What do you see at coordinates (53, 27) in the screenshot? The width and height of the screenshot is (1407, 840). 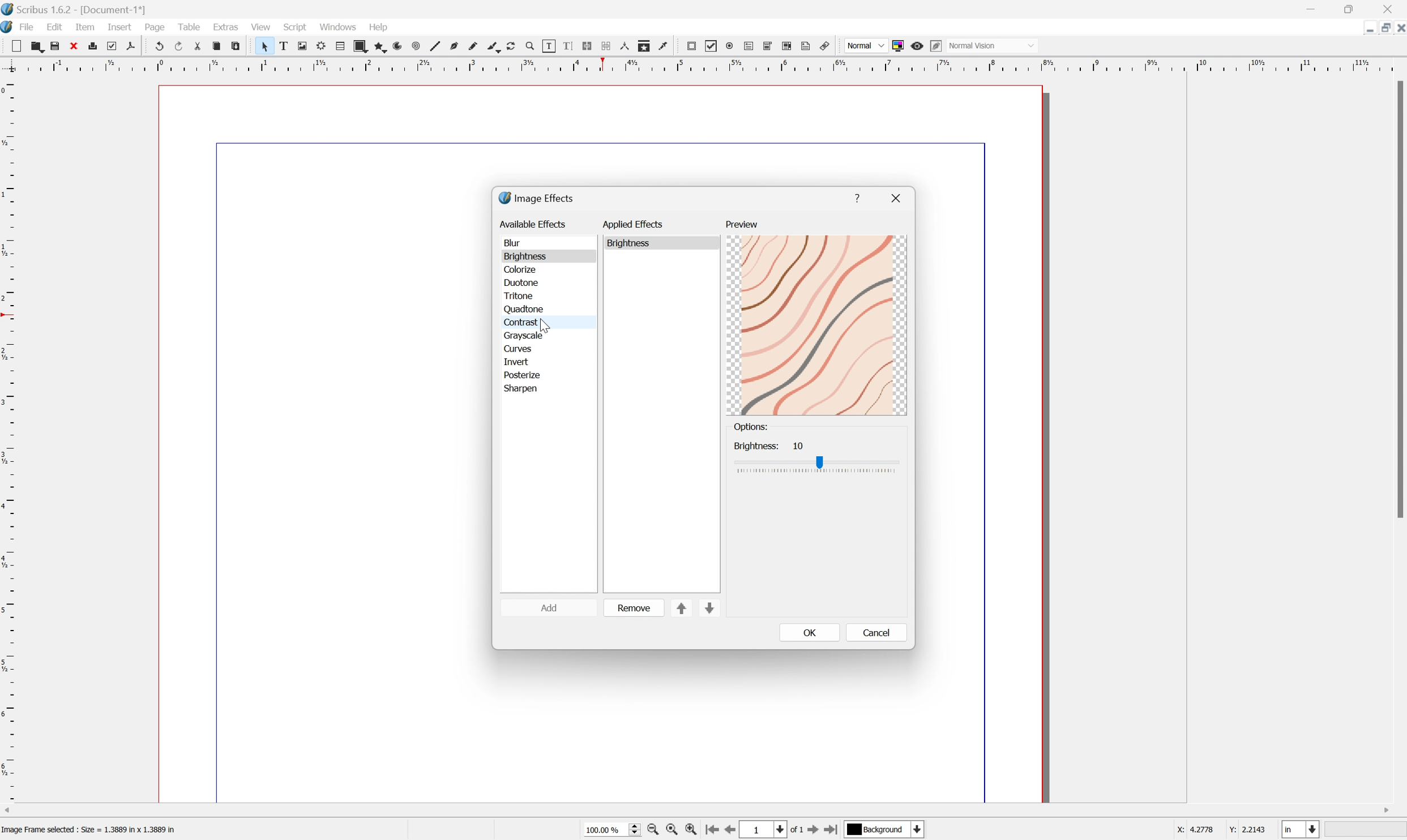 I see `Edit` at bounding box center [53, 27].